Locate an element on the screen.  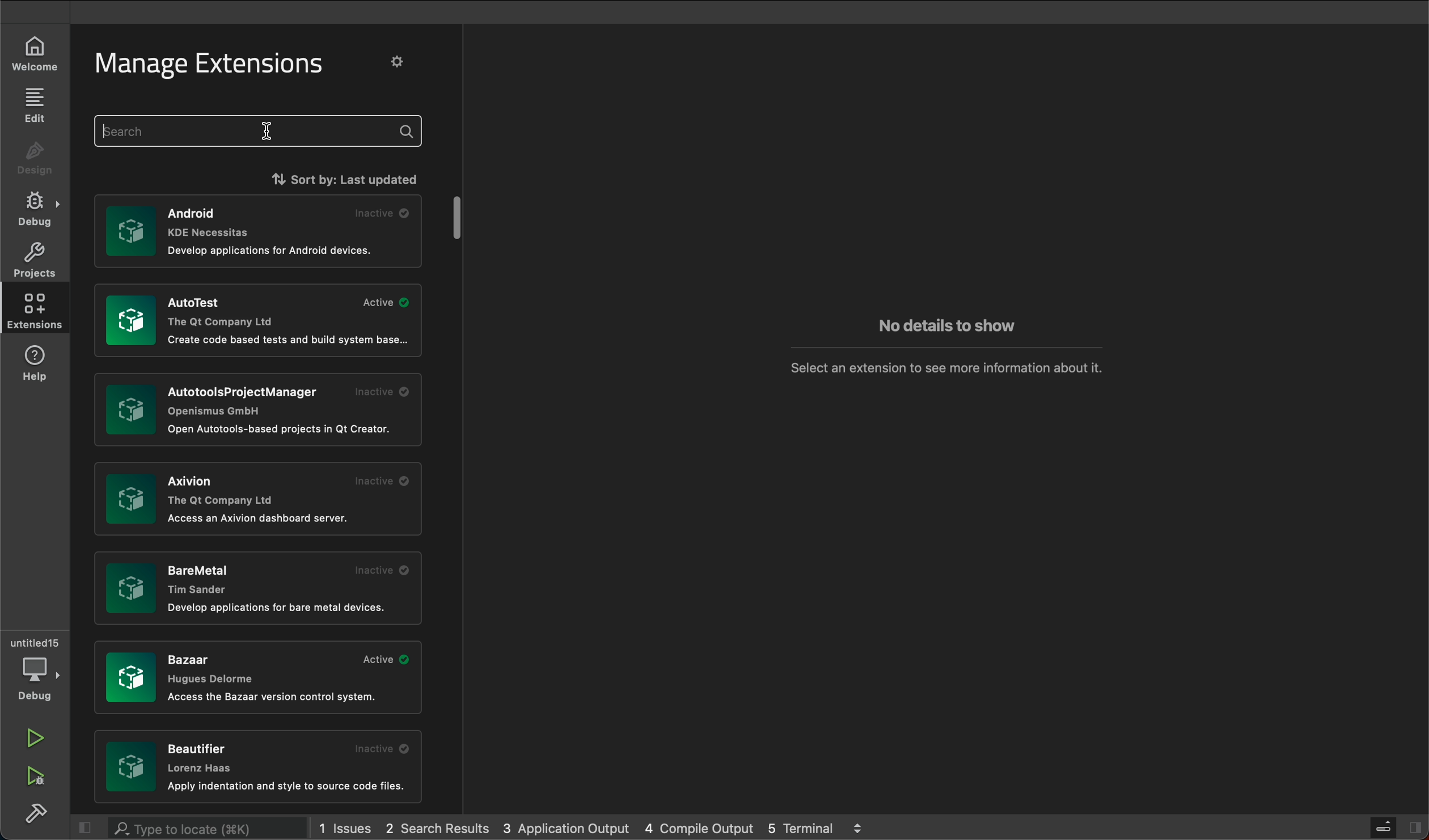
extension text is located at coordinates (223, 490).